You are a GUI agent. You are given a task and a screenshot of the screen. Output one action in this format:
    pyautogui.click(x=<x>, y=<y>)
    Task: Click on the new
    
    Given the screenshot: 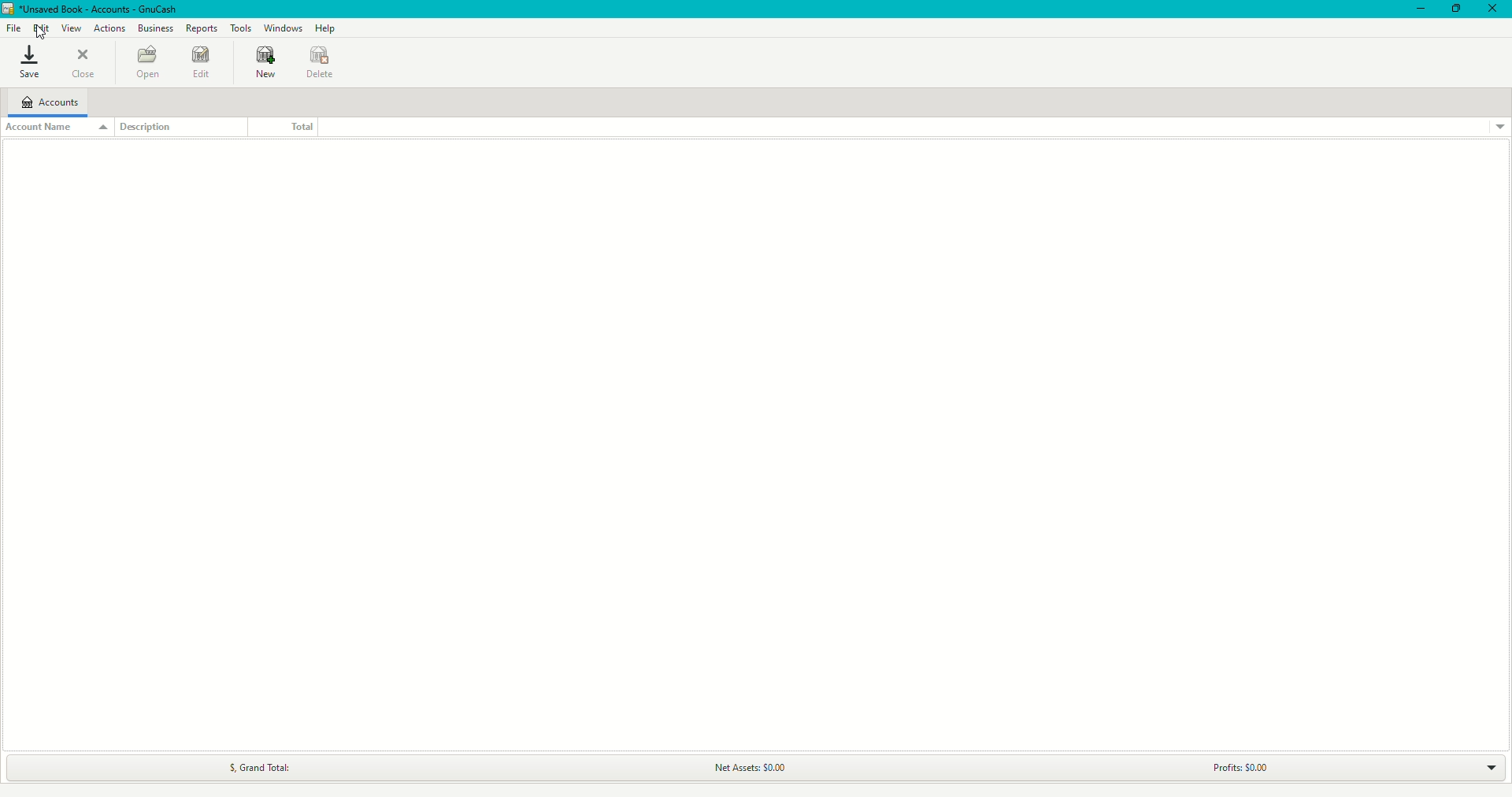 What is the action you would take?
    pyautogui.click(x=261, y=65)
    